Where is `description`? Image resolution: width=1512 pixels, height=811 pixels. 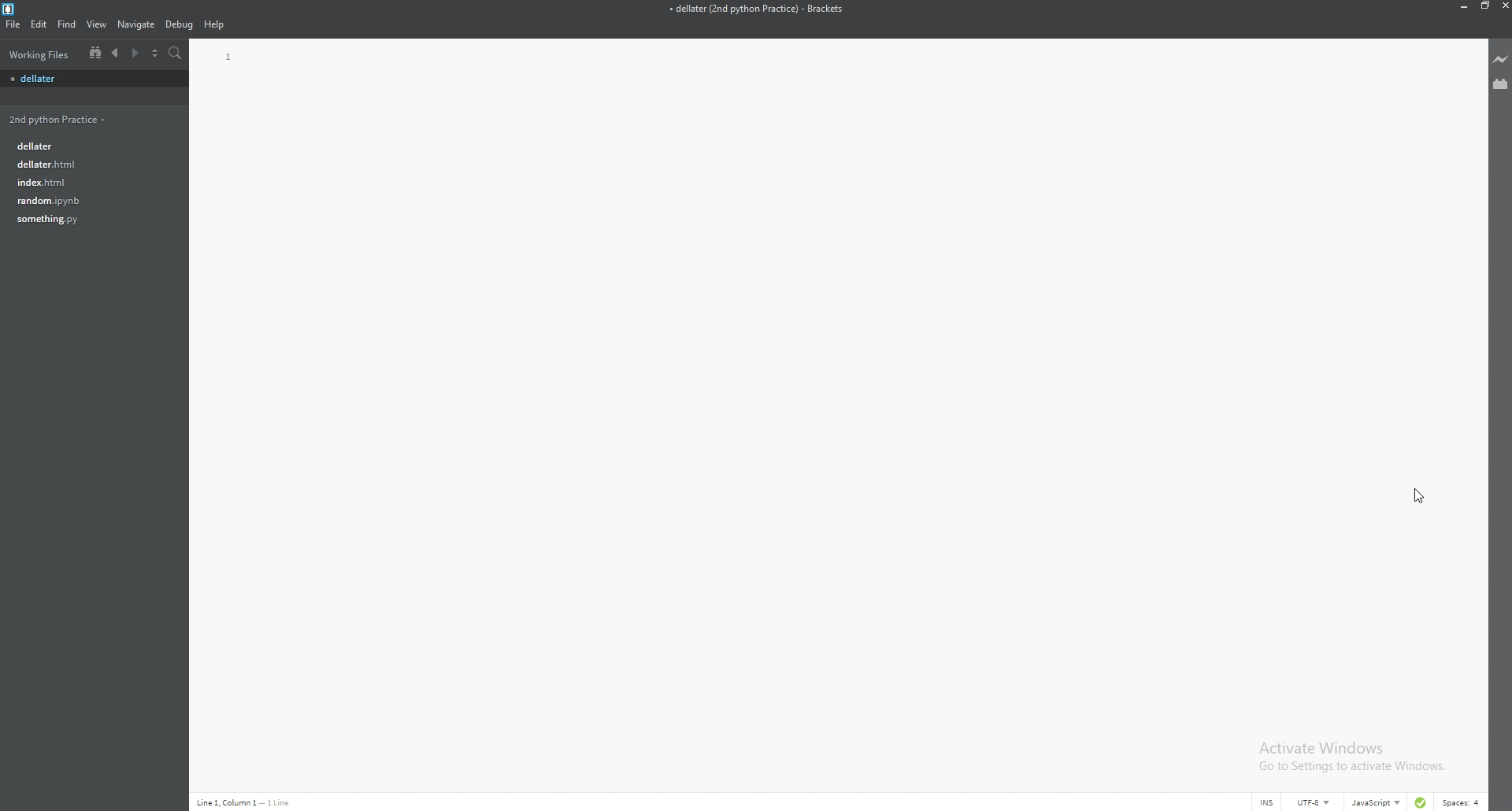
description is located at coordinates (259, 795).